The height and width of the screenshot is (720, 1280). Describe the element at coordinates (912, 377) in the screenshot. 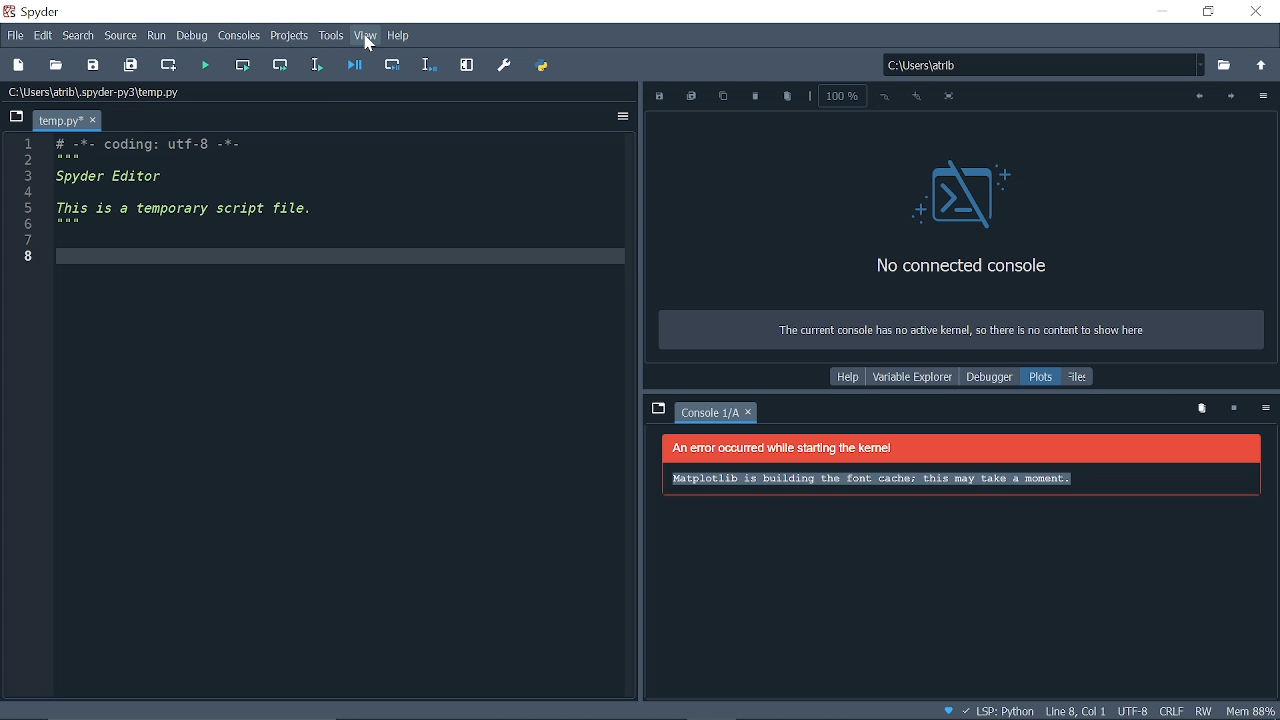

I see `Variable explorer` at that location.